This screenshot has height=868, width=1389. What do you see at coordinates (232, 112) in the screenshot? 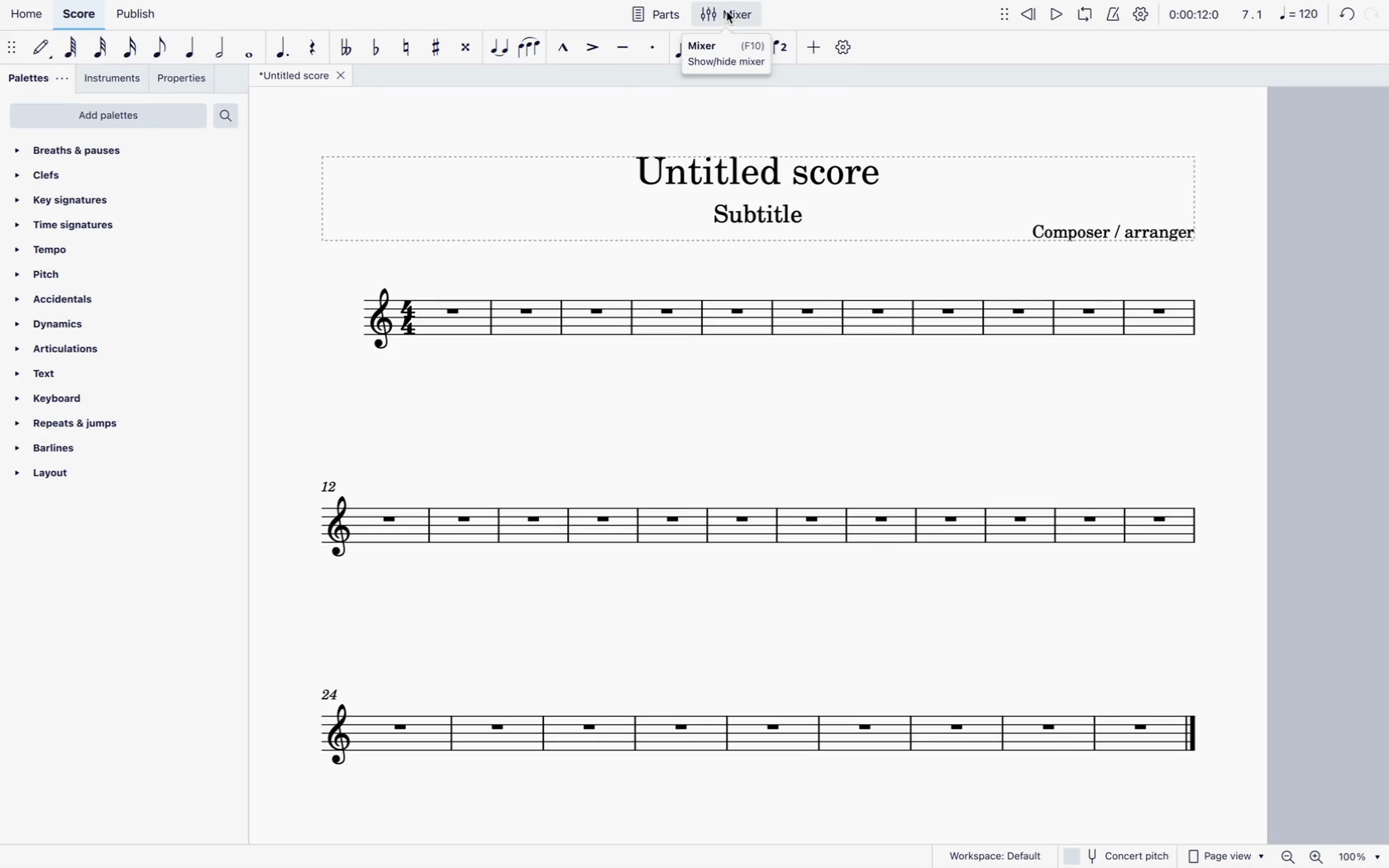
I see `search` at bounding box center [232, 112].